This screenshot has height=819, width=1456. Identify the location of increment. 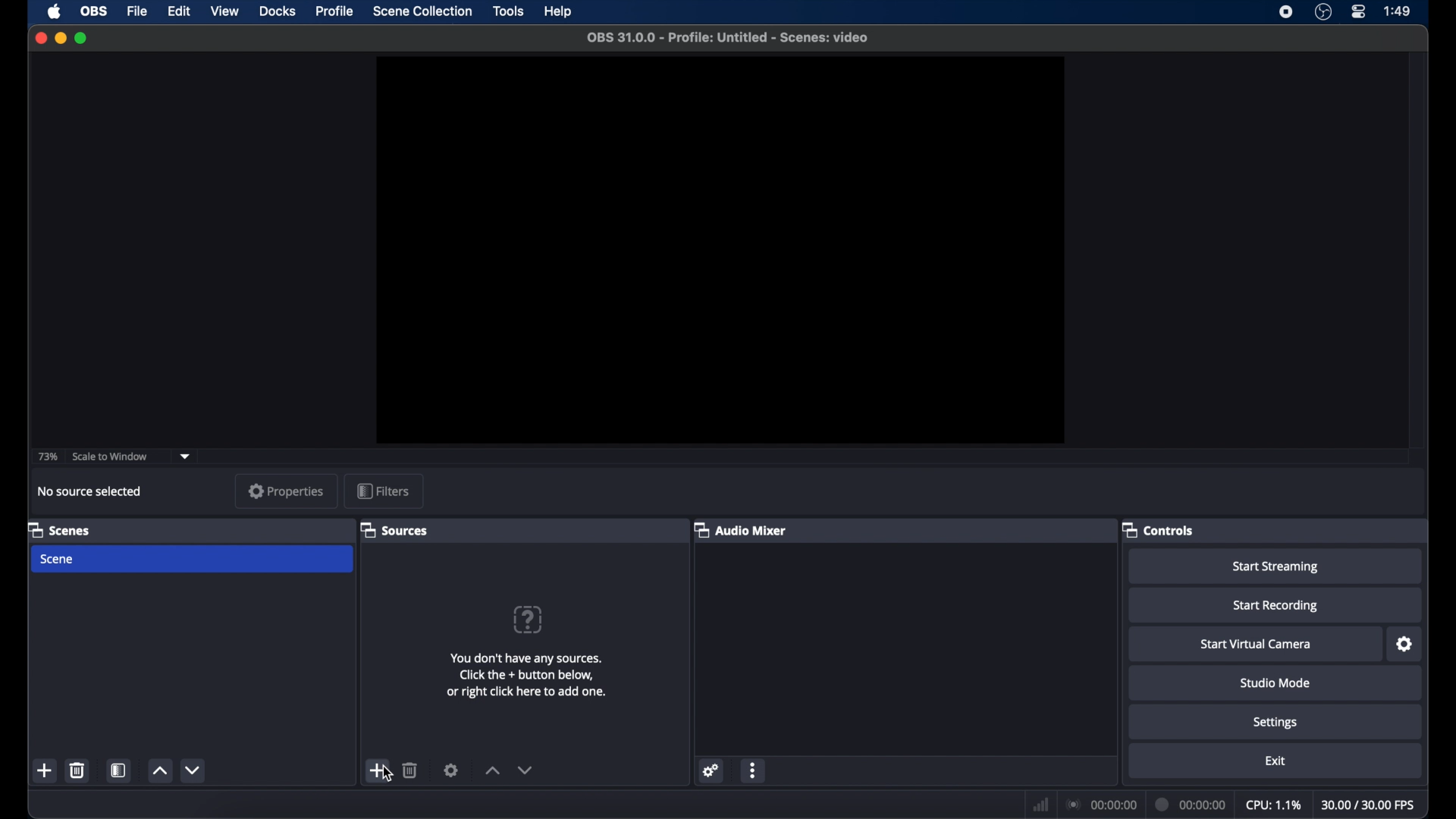
(491, 770).